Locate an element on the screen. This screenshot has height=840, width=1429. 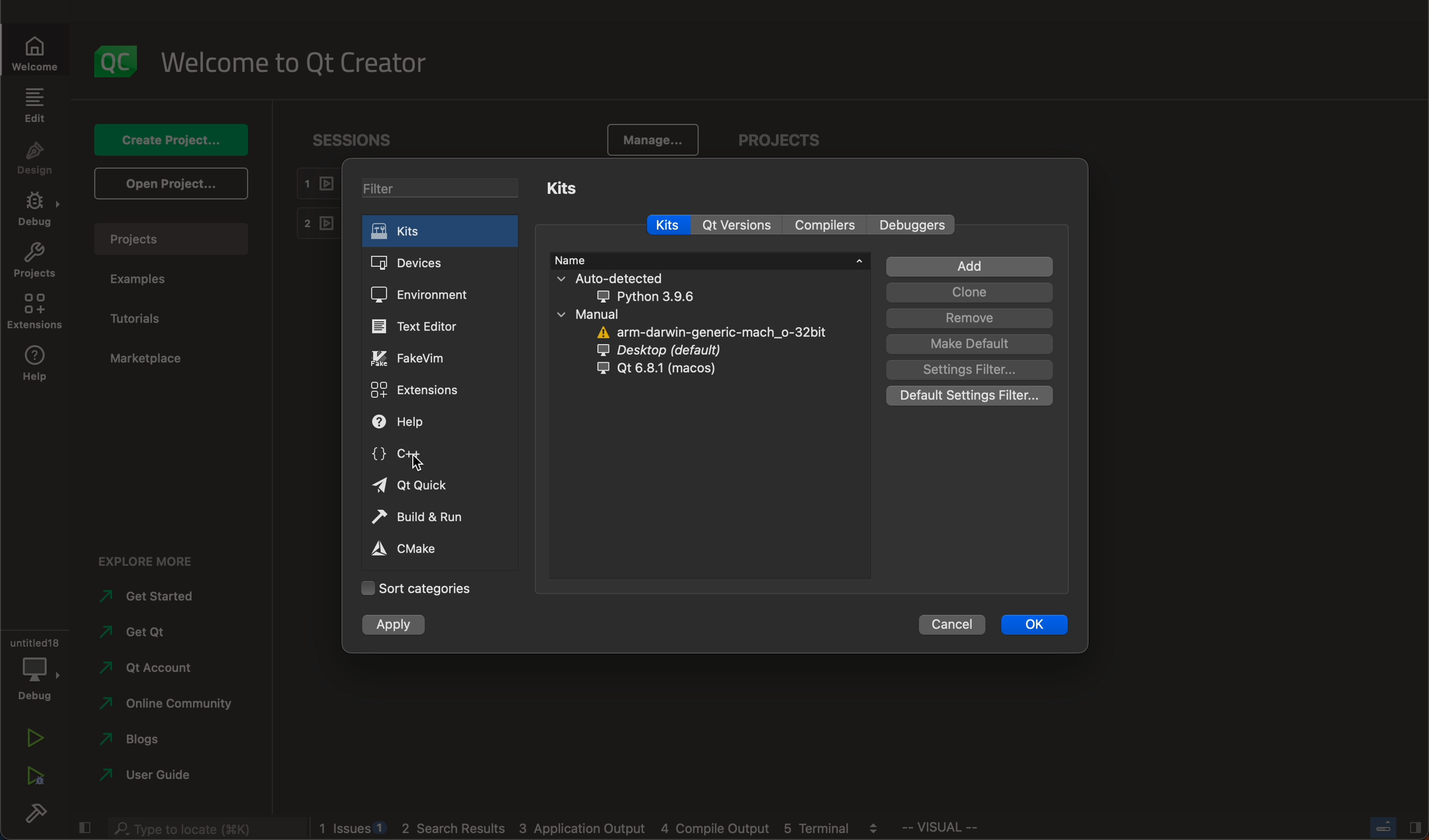
search bar is located at coordinates (204, 826).